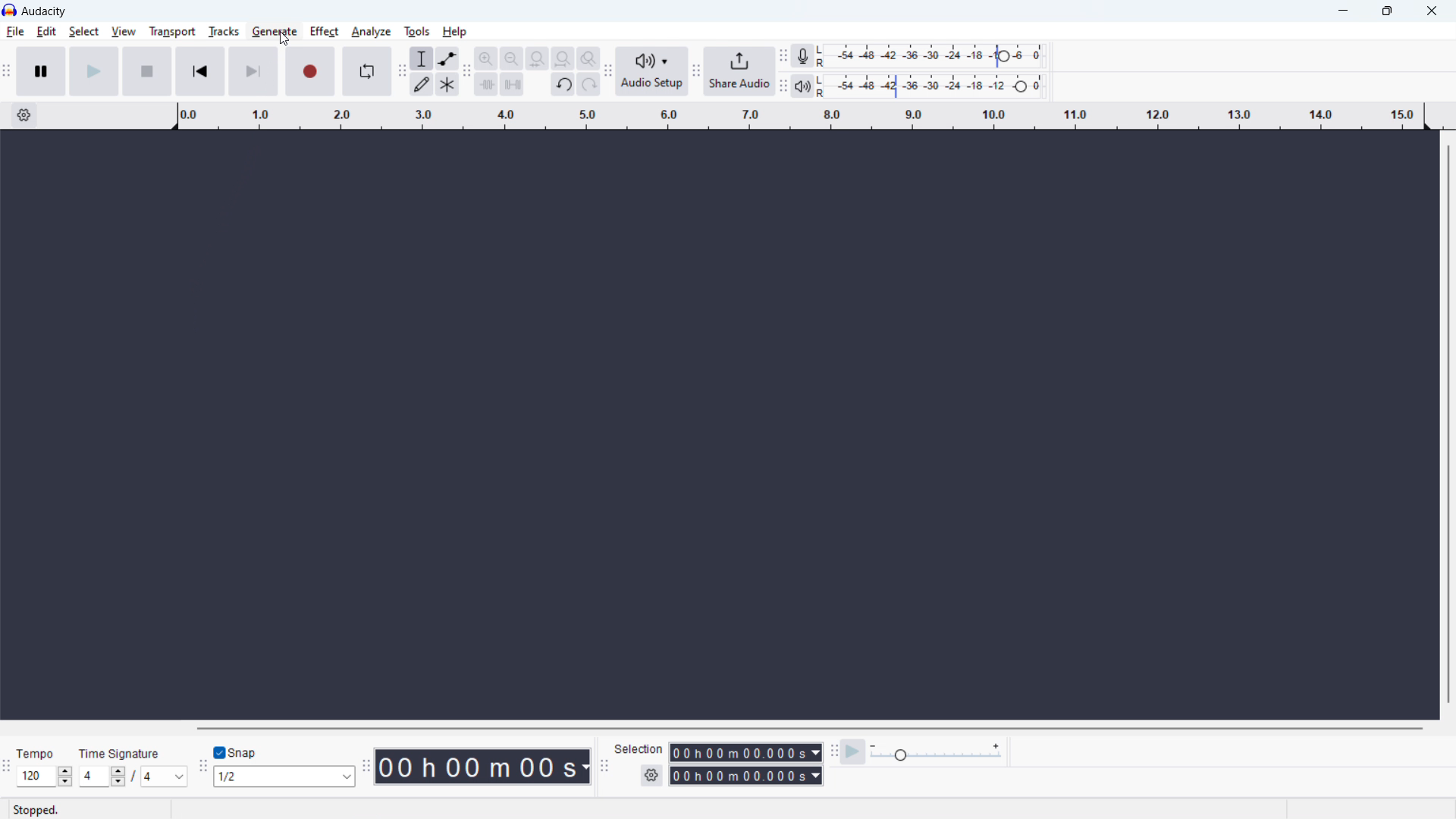  What do you see at coordinates (802, 85) in the screenshot?
I see `playback meter` at bounding box center [802, 85].